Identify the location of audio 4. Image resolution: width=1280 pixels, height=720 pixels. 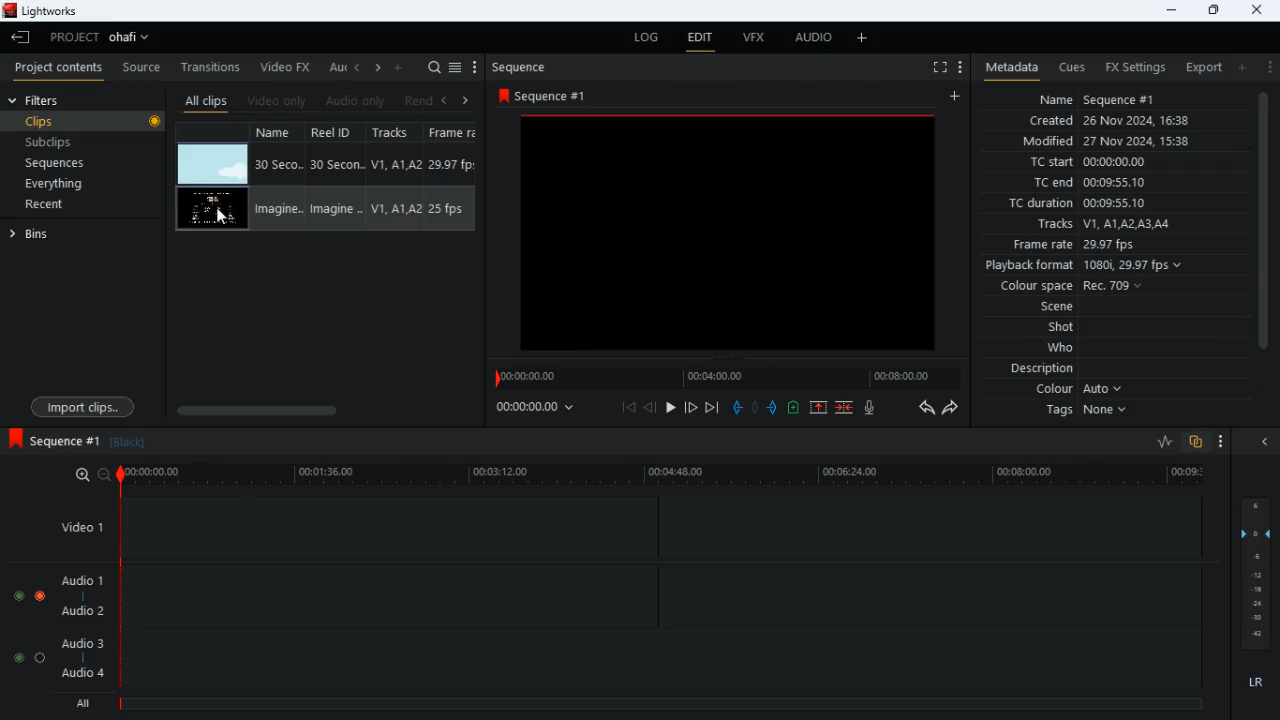
(82, 675).